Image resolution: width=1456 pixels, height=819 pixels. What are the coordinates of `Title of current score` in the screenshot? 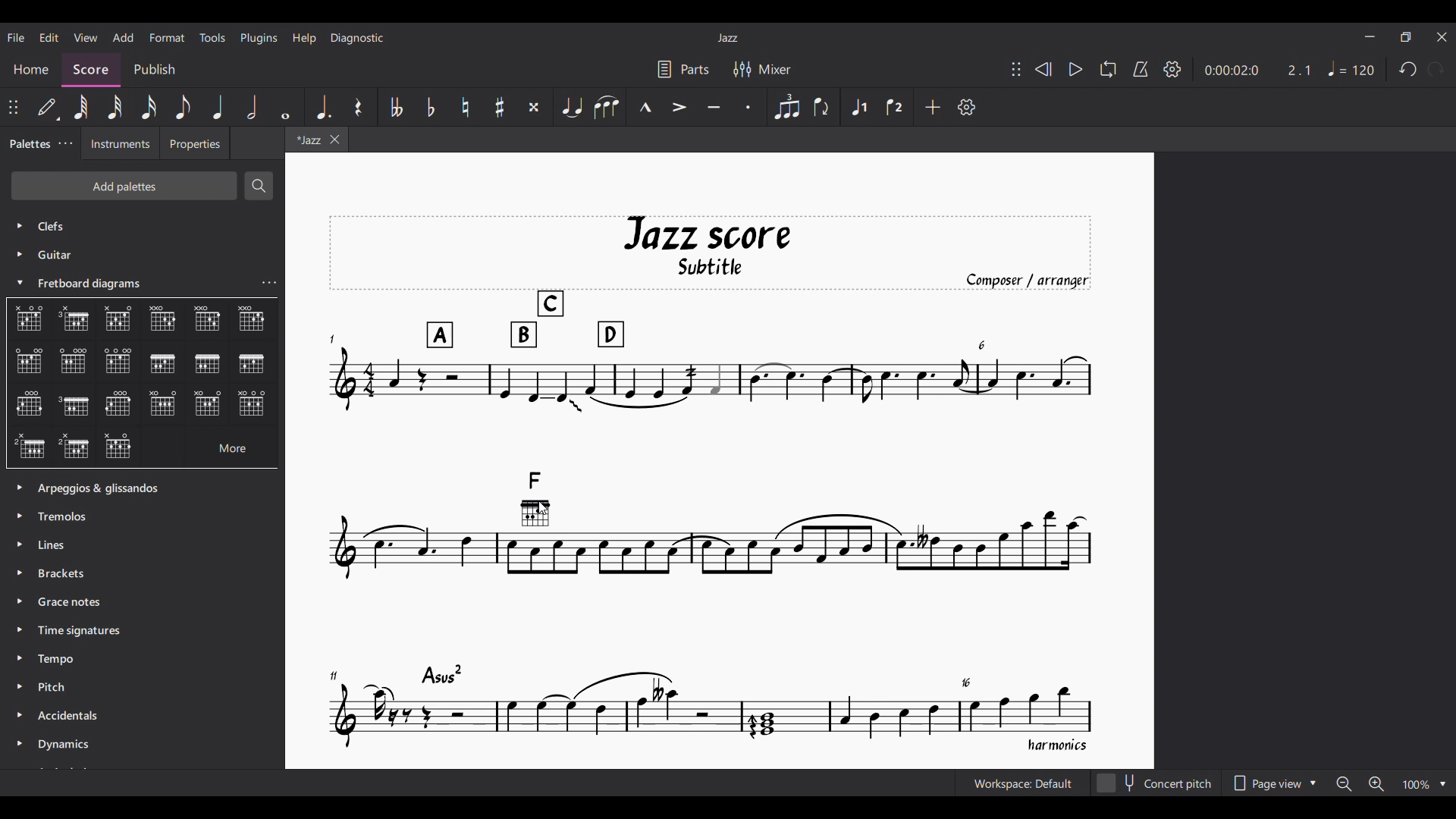 It's located at (727, 38).